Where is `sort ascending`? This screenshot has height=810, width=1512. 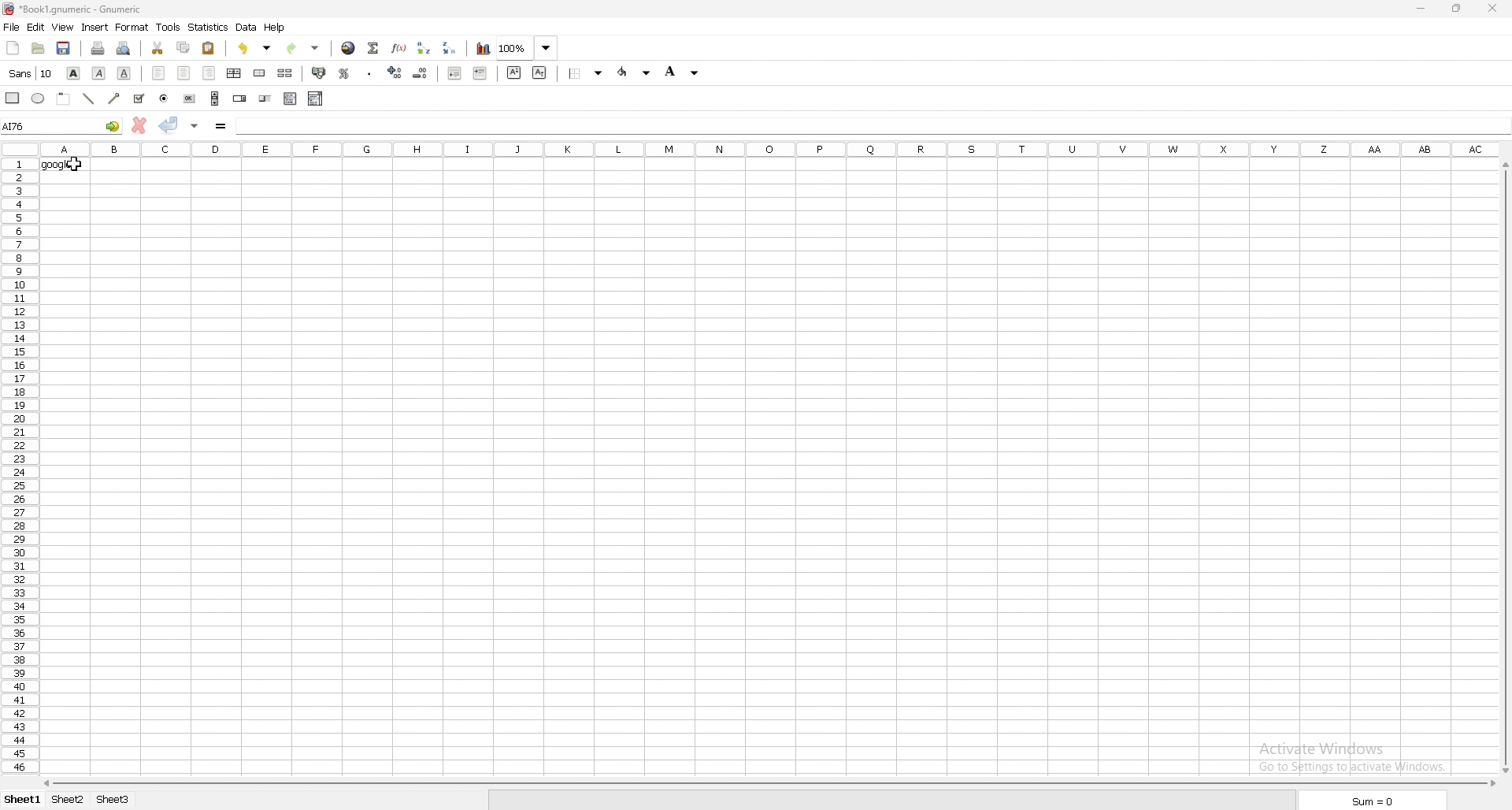
sort ascending is located at coordinates (424, 47).